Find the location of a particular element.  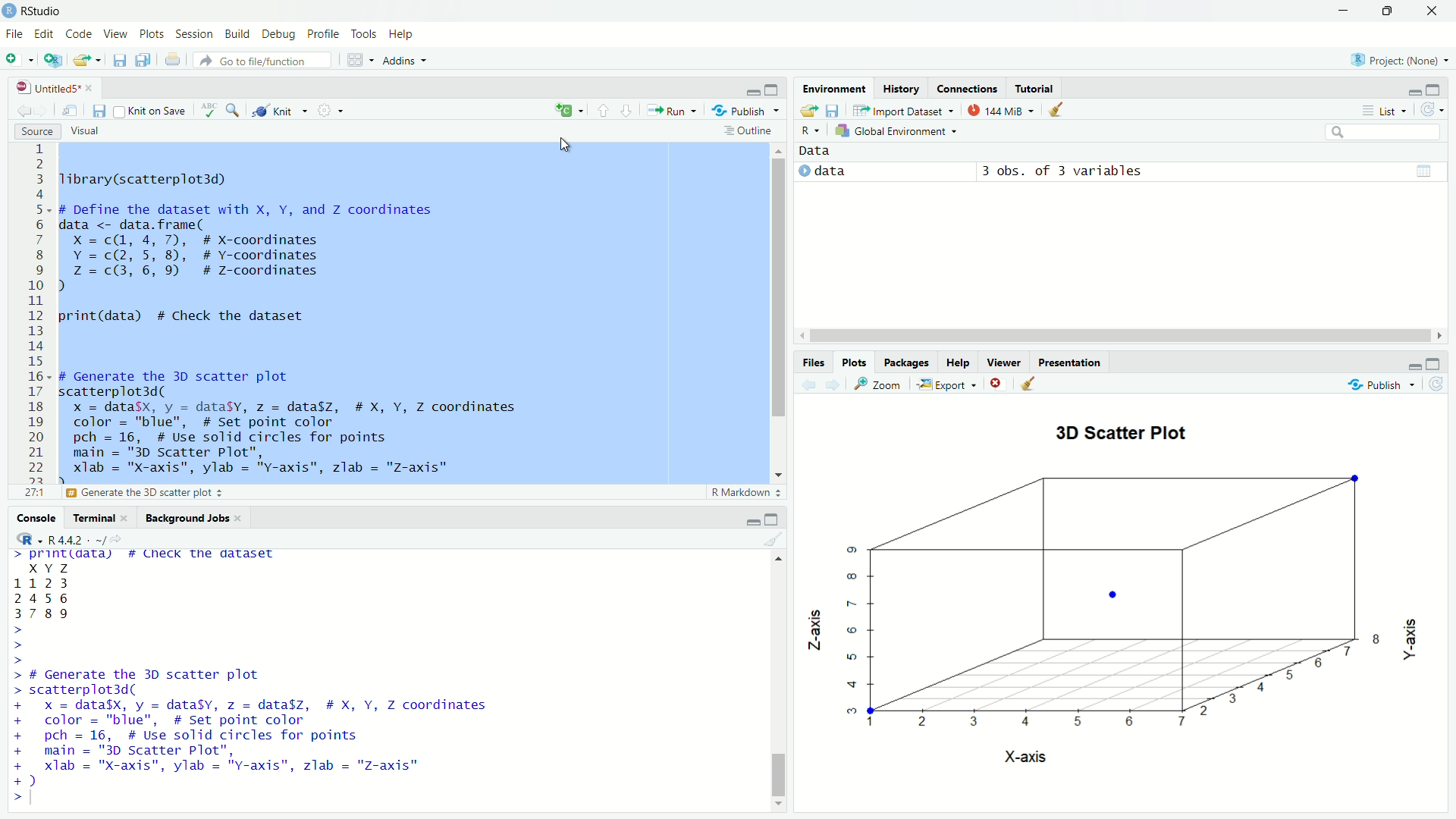

minimize is located at coordinates (1405, 89).